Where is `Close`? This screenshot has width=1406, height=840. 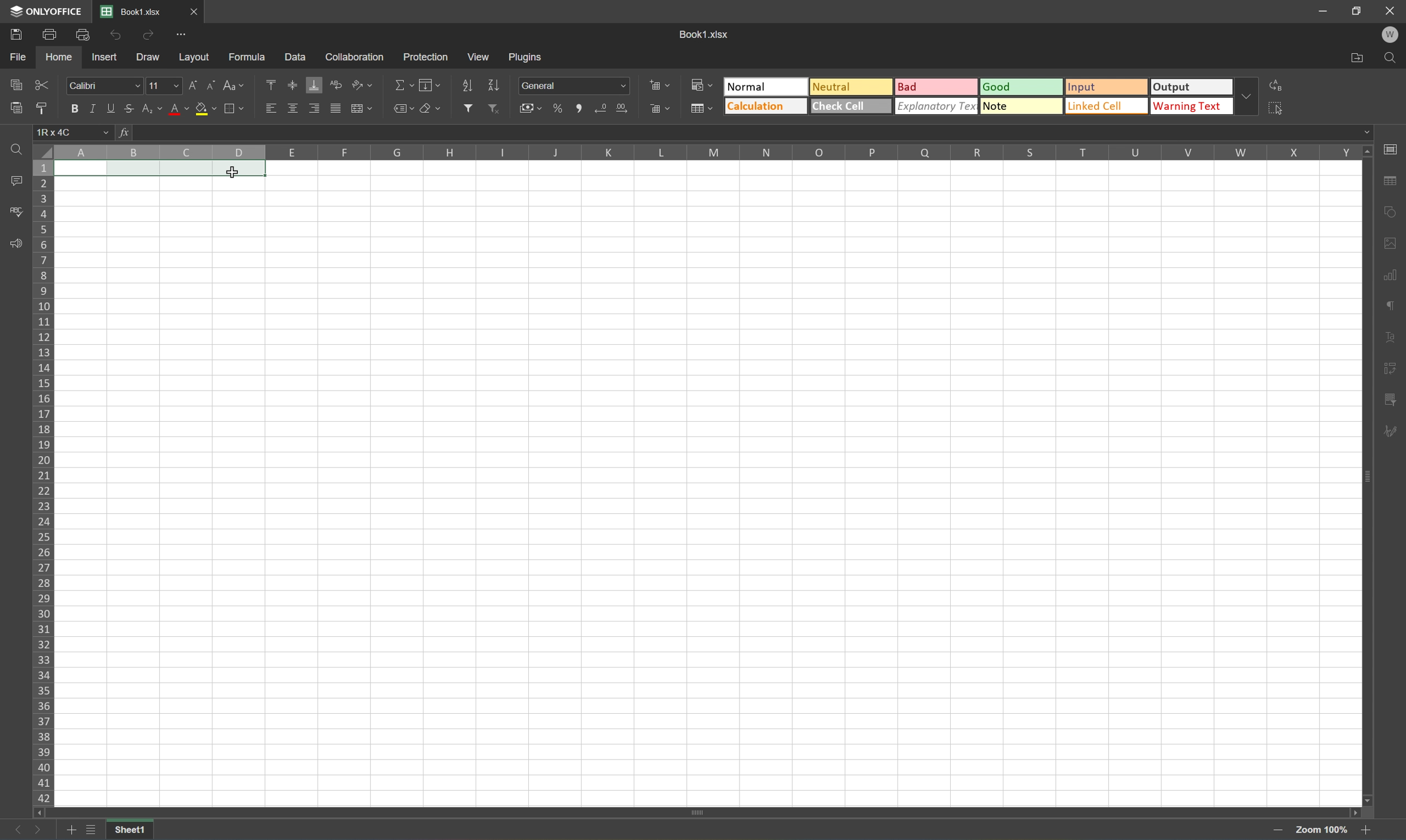
Close is located at coordinates (193, 10).